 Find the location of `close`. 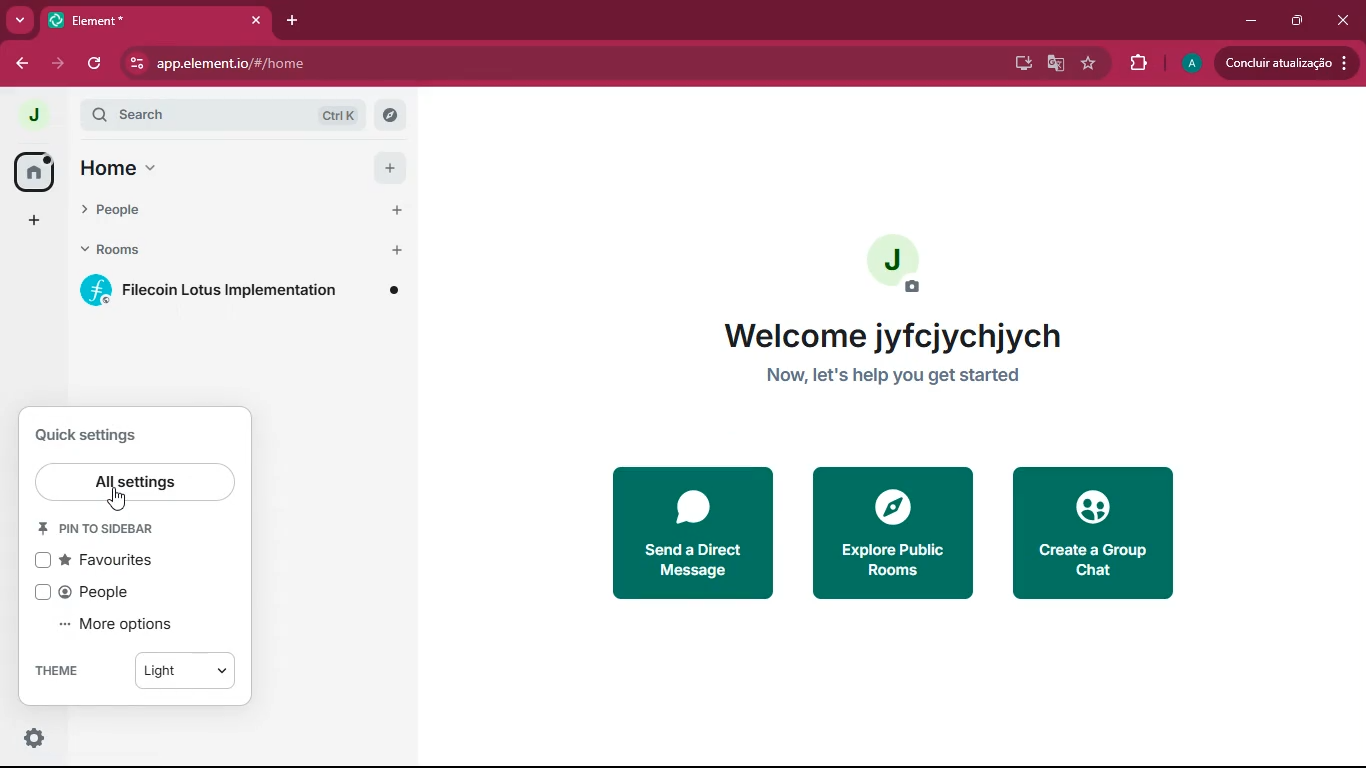

close is located at coordinates (1342, 21).